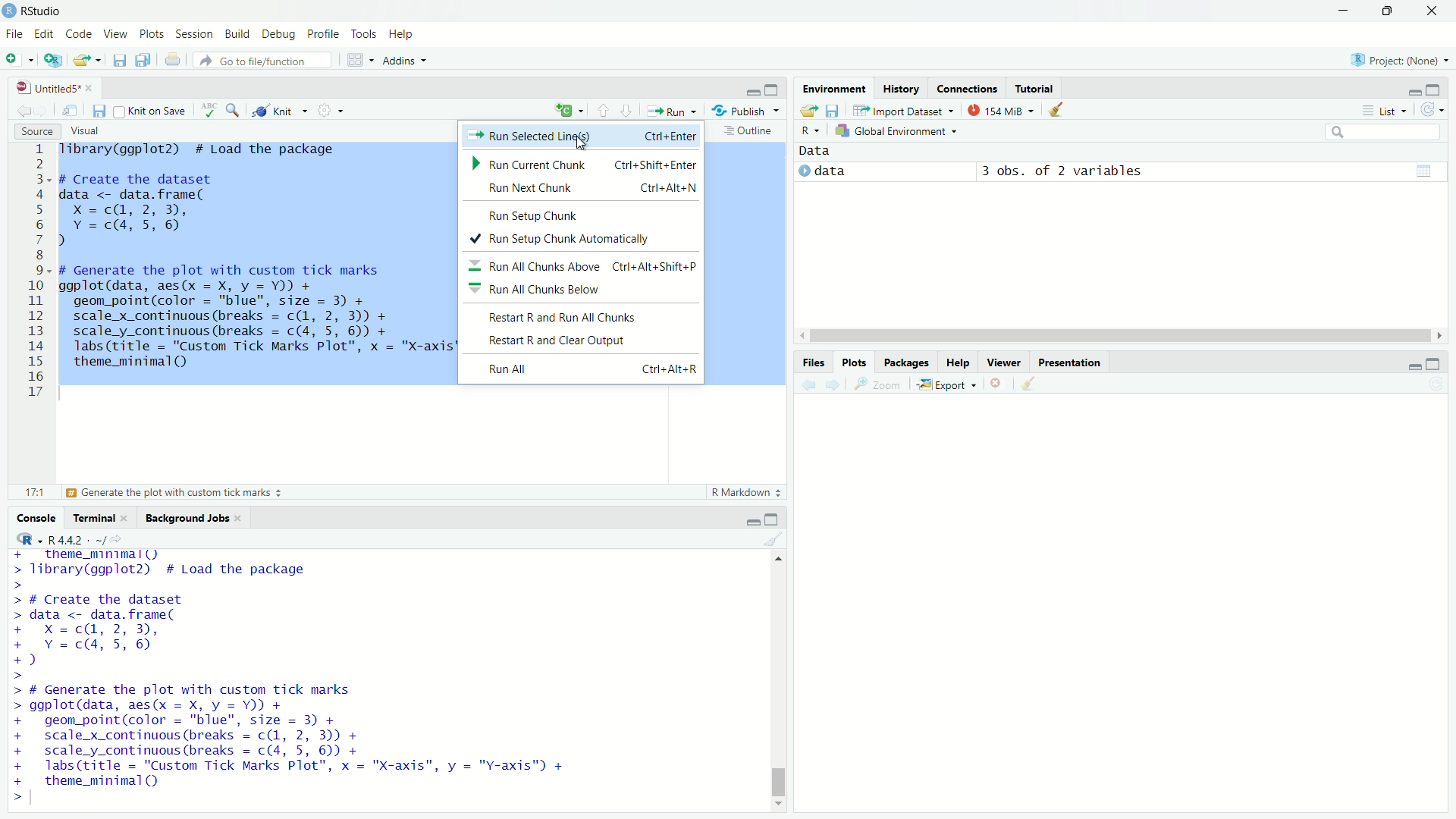 The width and height of the screenshot is (1456, 819). Describe the element at coordinates (834, 383) in the screenshot. I see `next plot` at that location.